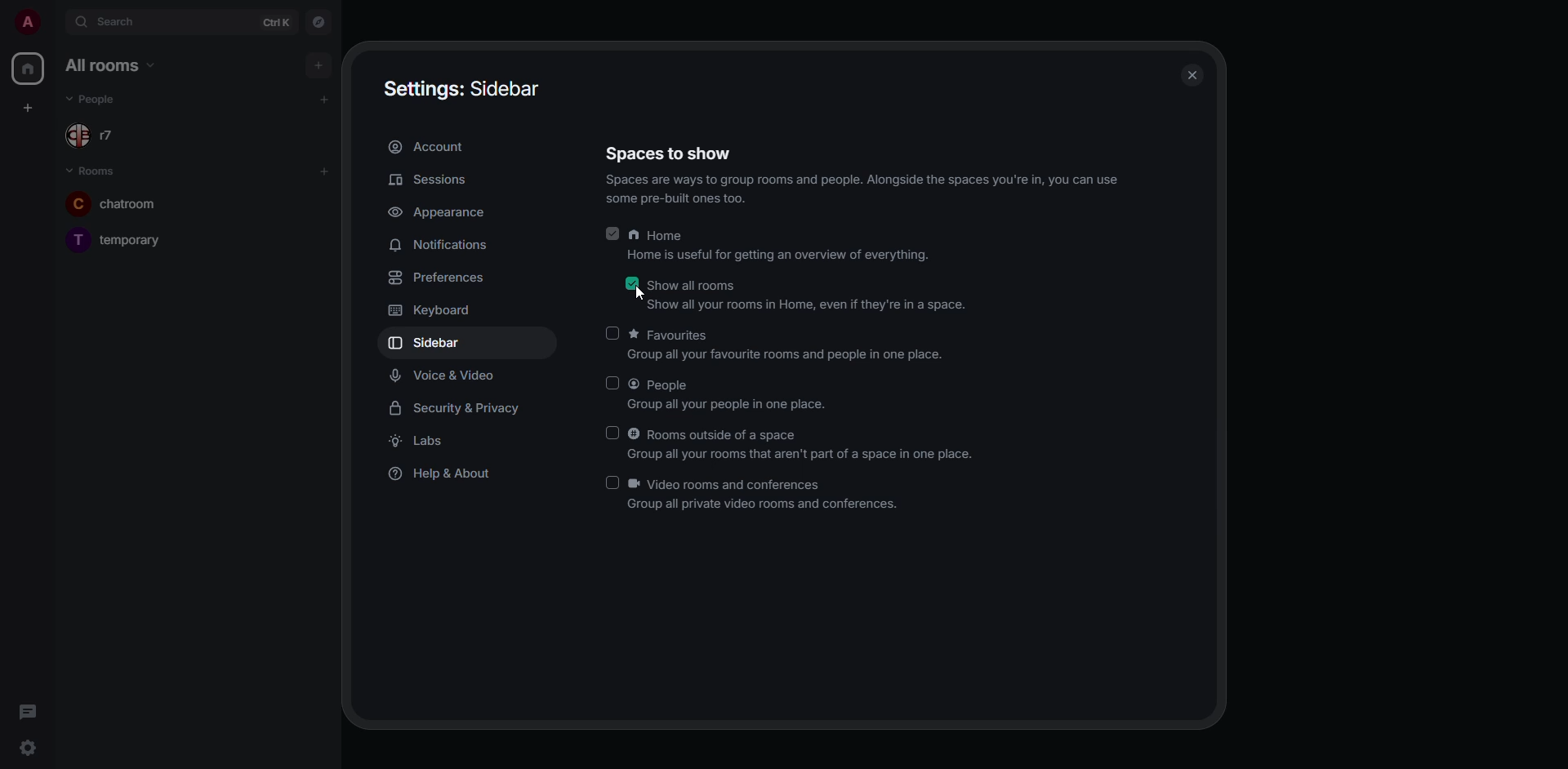 The width and height of the screenshot is (1568, 769). Describe the element at coordinates (443, 212) in the screenshot. I see `appearance` at that location.